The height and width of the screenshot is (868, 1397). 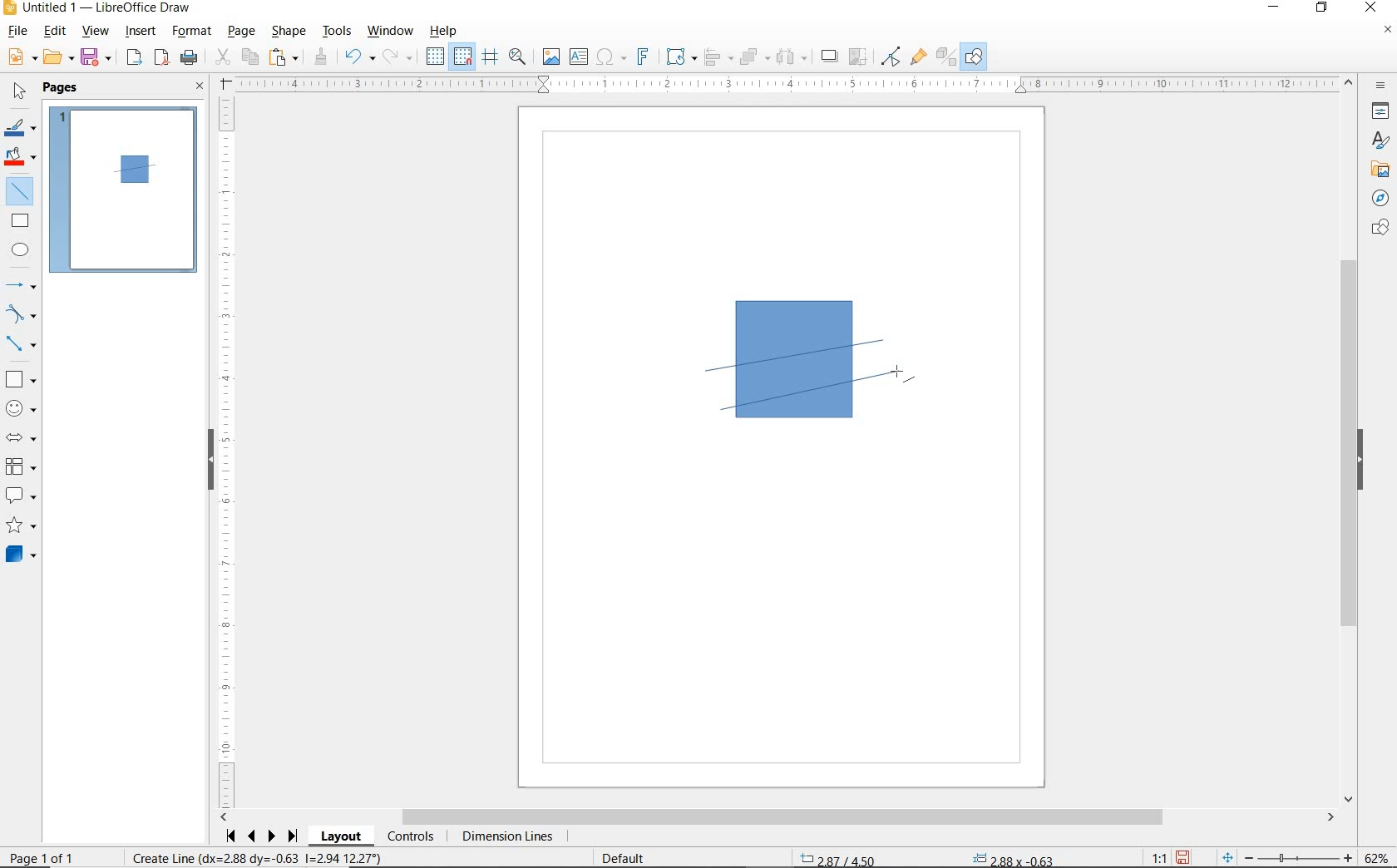 What do you see at coordinates (22, 159) in the screenshot?
I see `FILL COLOR` at bounding box center [22, 159].